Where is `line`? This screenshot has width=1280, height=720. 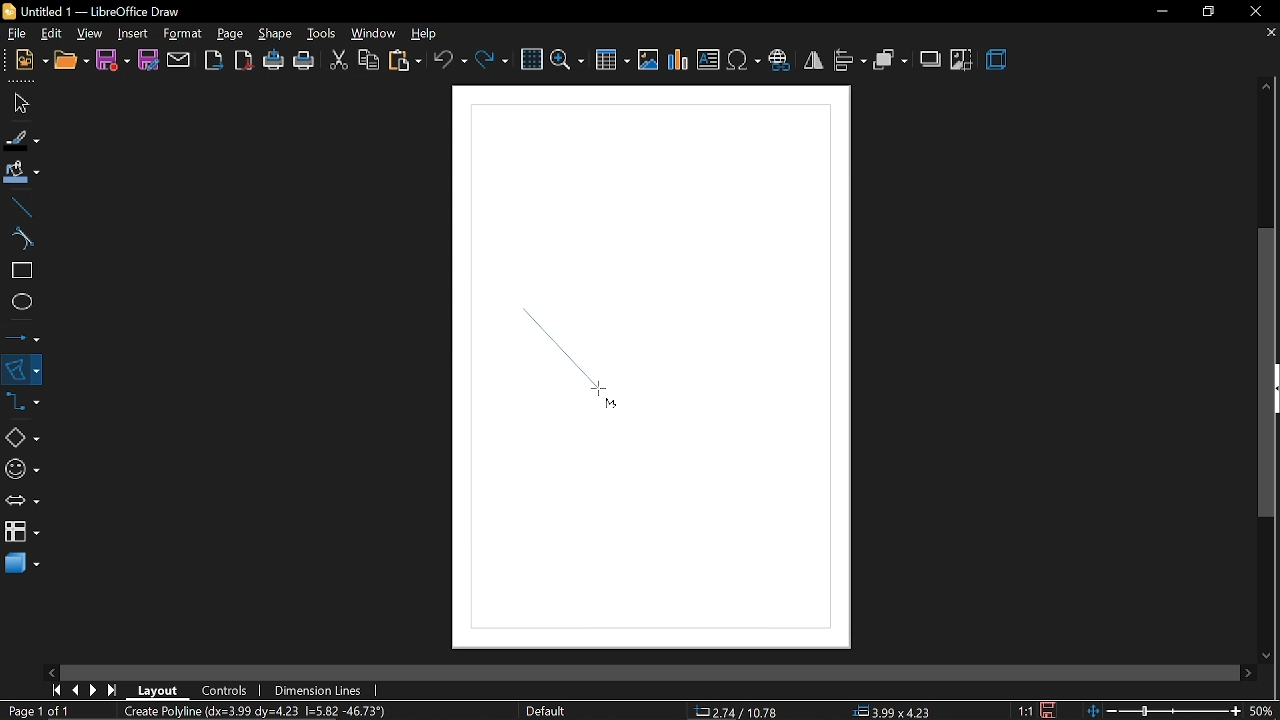
line is located at coordinates (19, 207).